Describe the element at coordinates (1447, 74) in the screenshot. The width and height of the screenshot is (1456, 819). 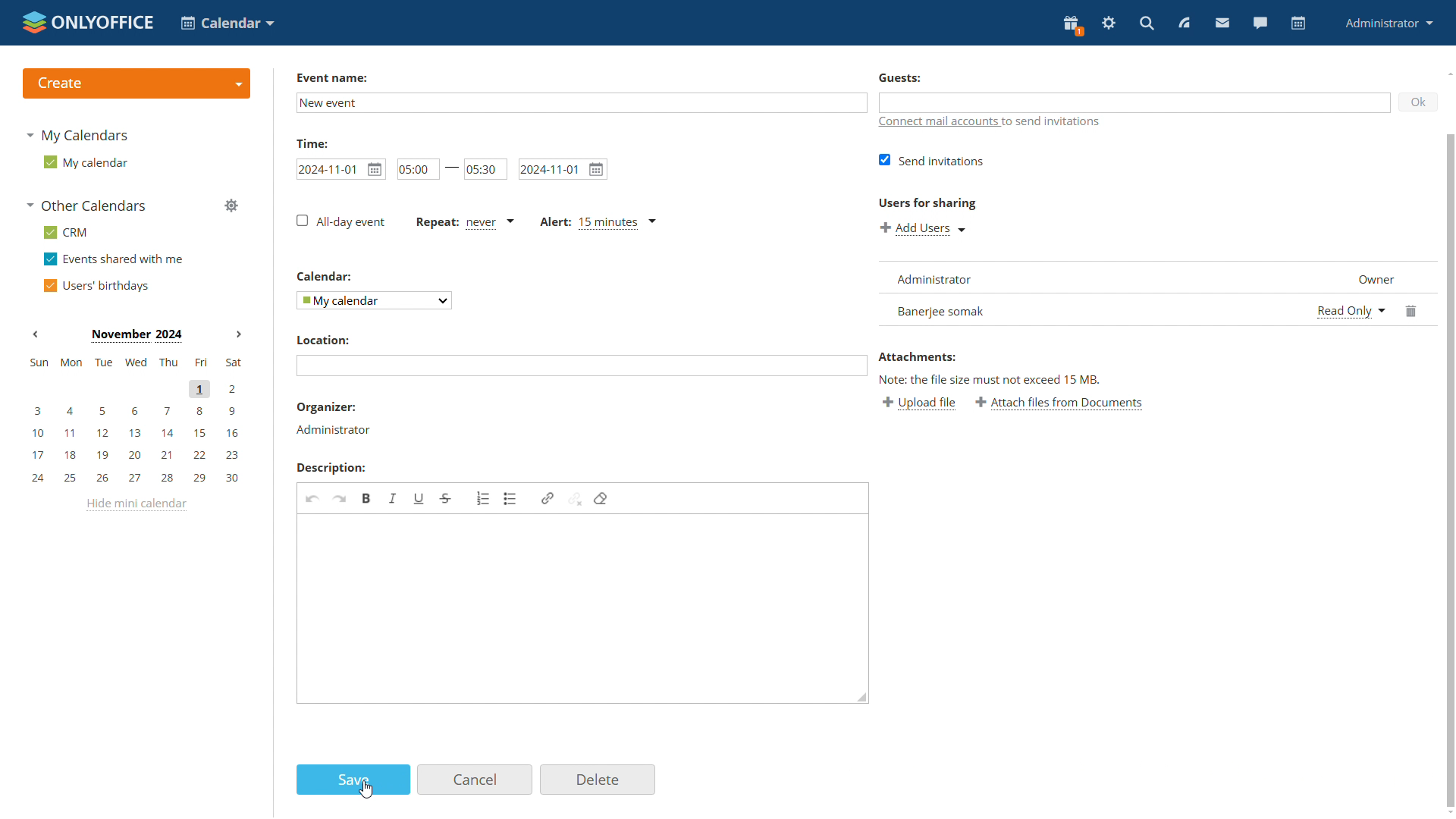
I see `Scroll up` at that location.